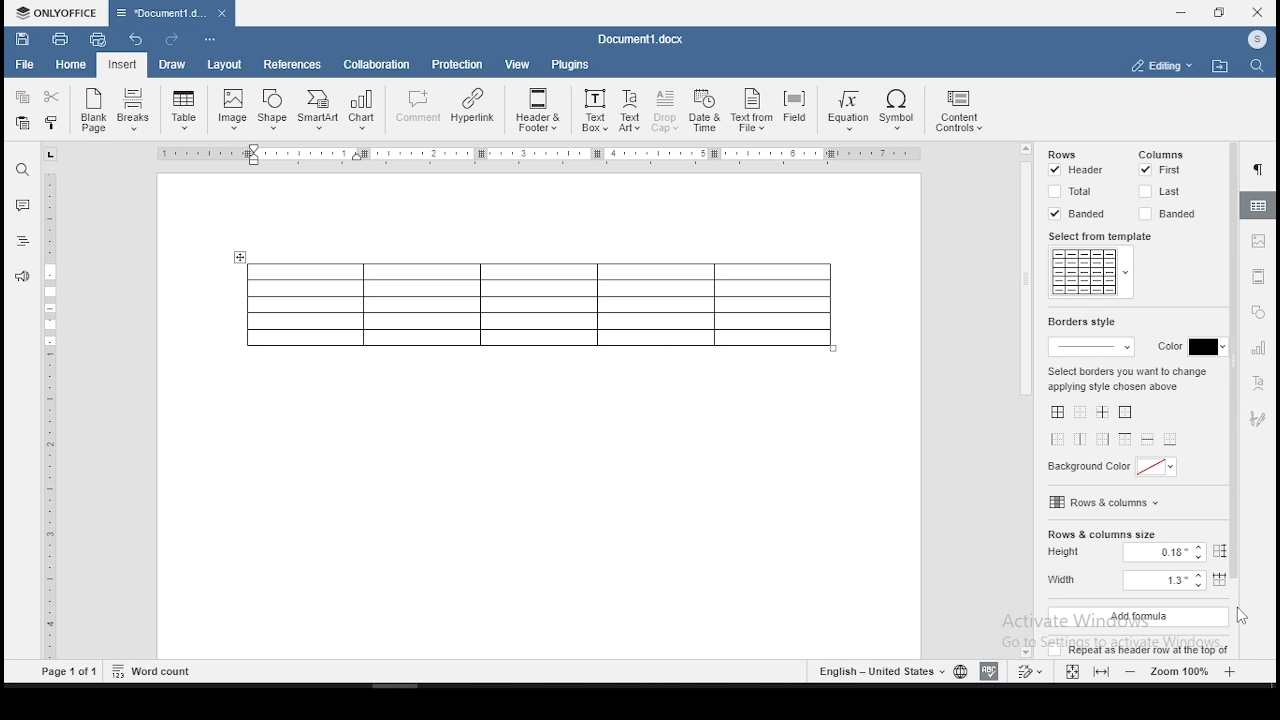  Describe the element at coordinates (1258, 276) in the screenshot. I see `headers & footers` at that location.